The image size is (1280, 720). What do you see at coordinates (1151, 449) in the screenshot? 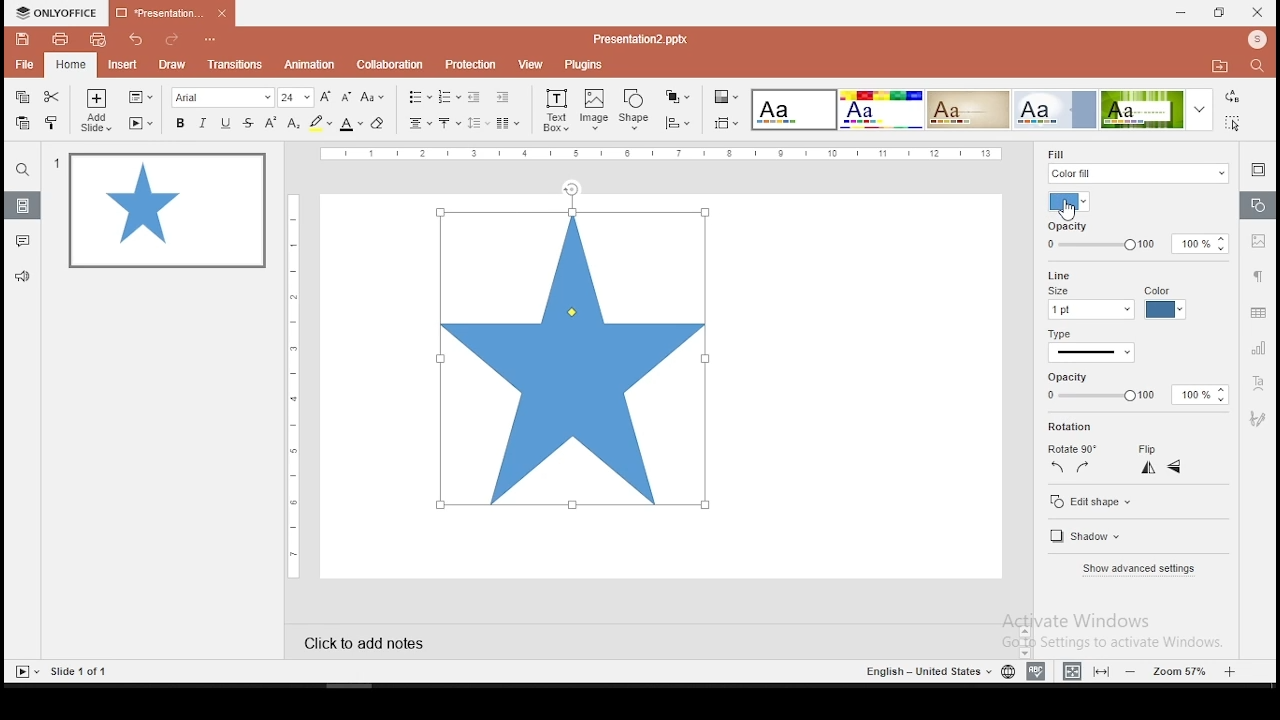
I see `flip` at bounding box center [1151, 449].